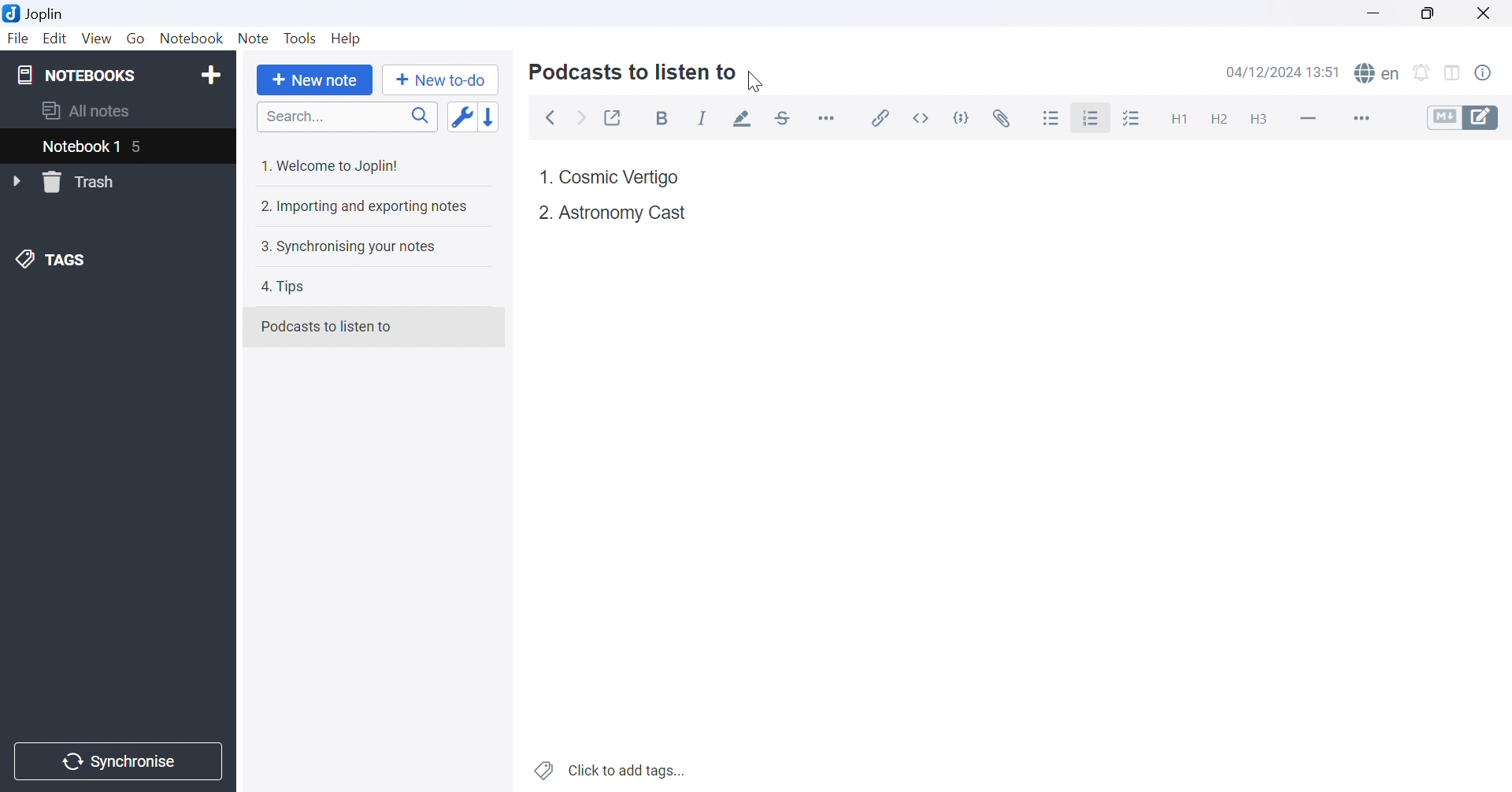  Describe the element at coordinates (301, 38) in the screenshot. I see `Tools` at that location.